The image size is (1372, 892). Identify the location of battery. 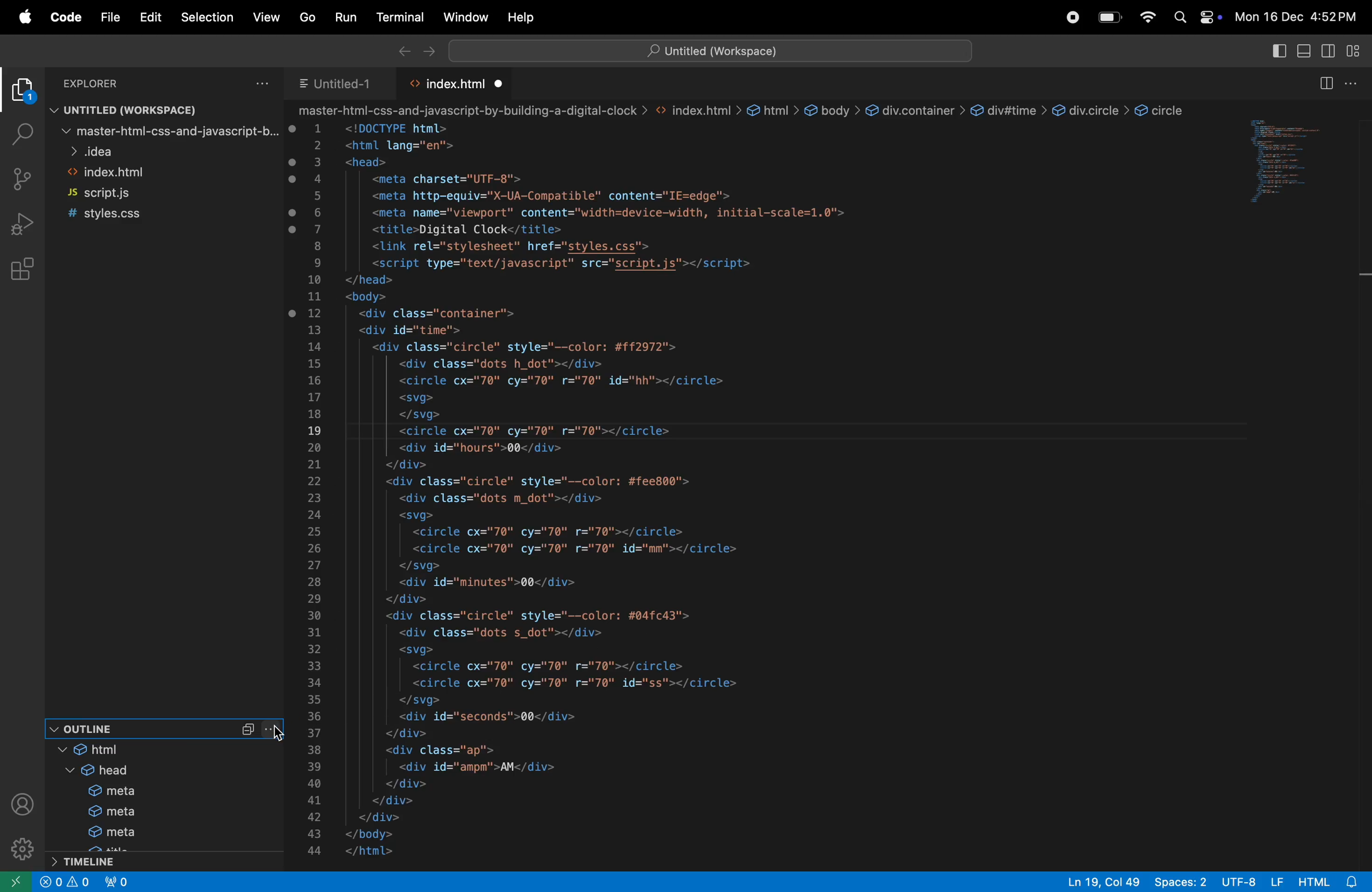
(1110, 16).